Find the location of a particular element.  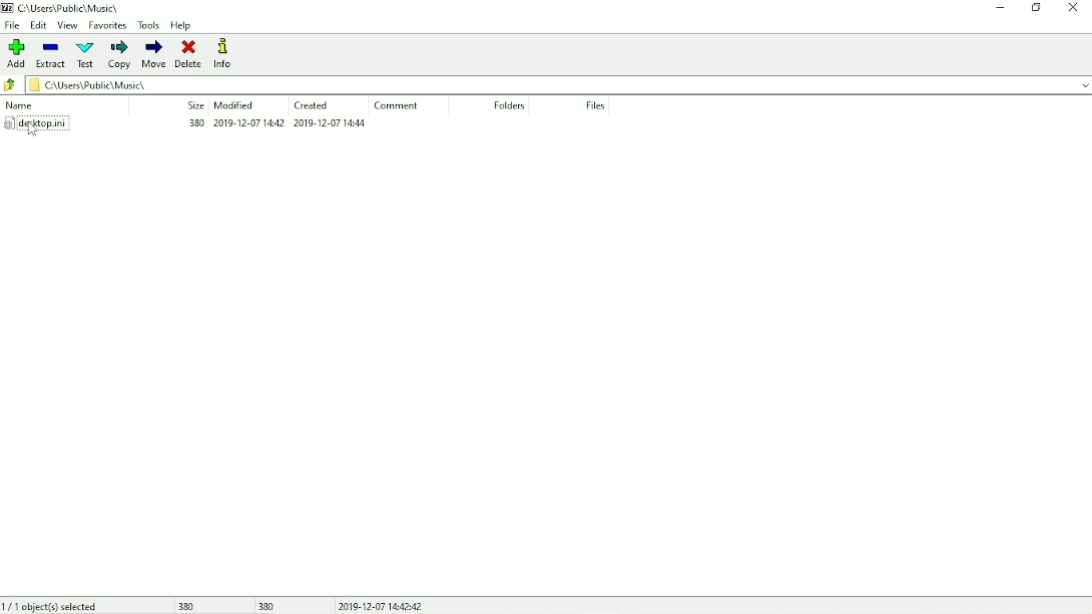

Modified is located at coordinates (234, 105).